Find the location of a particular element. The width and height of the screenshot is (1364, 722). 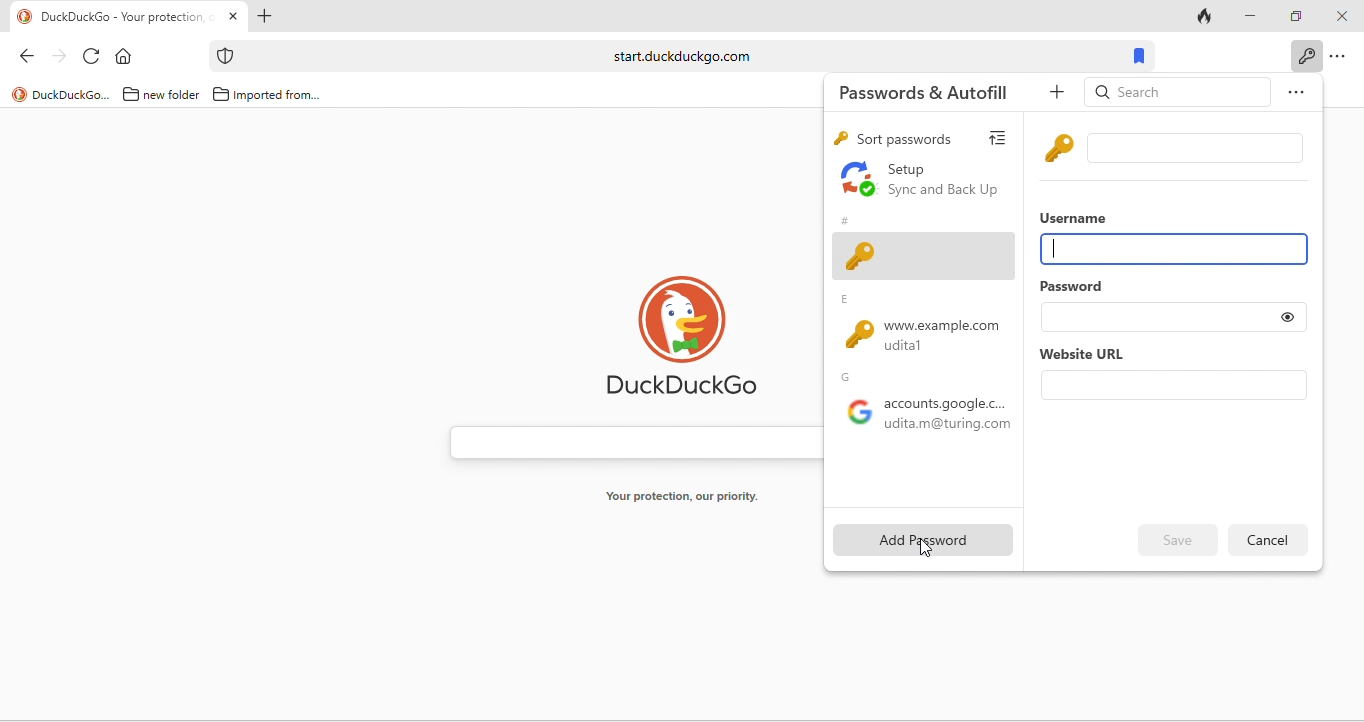

logo is located at coordinates (25, 17).